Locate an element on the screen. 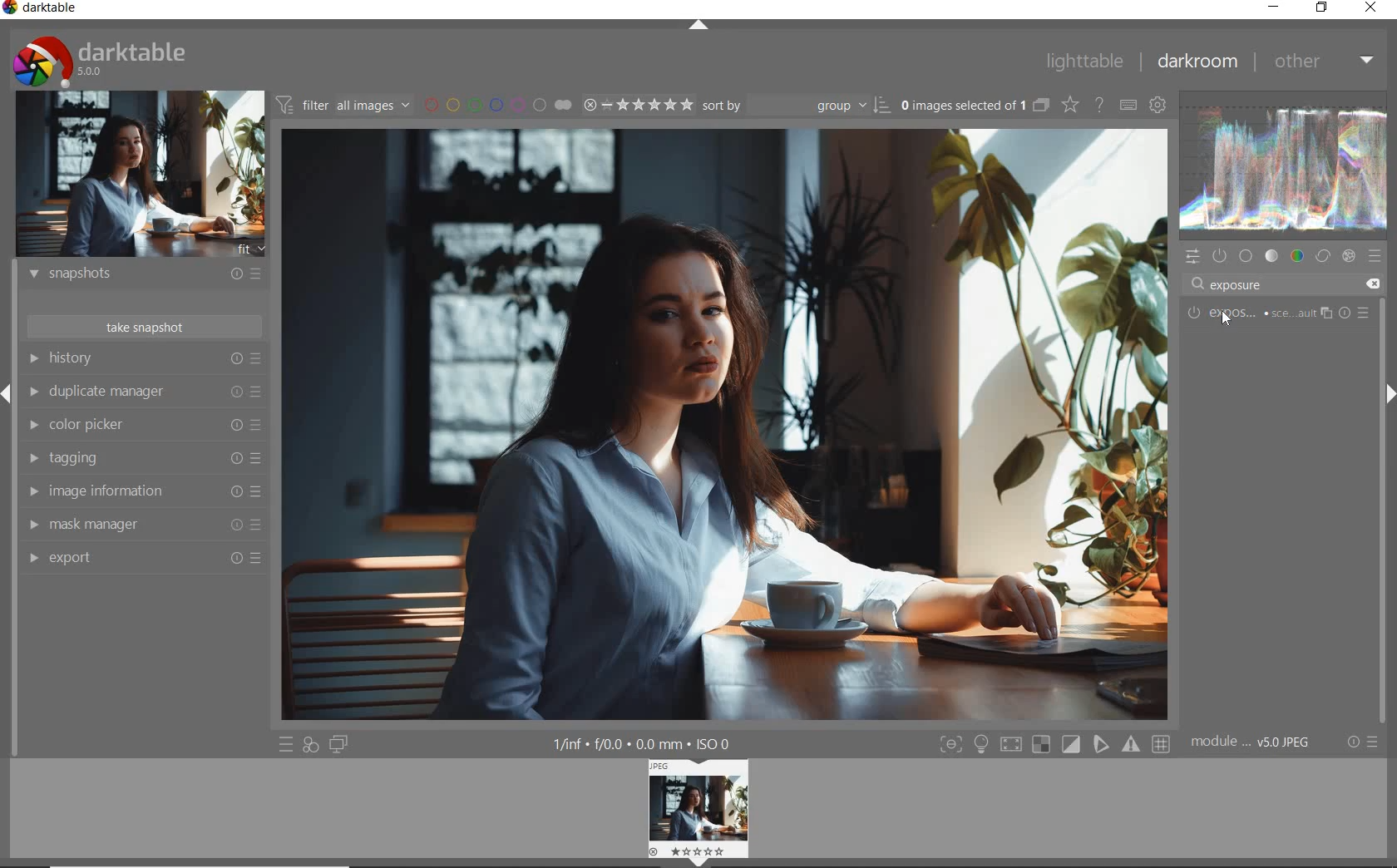 This screenshot has width=1397, height=868. effect is located at coordinates (1349, 256).